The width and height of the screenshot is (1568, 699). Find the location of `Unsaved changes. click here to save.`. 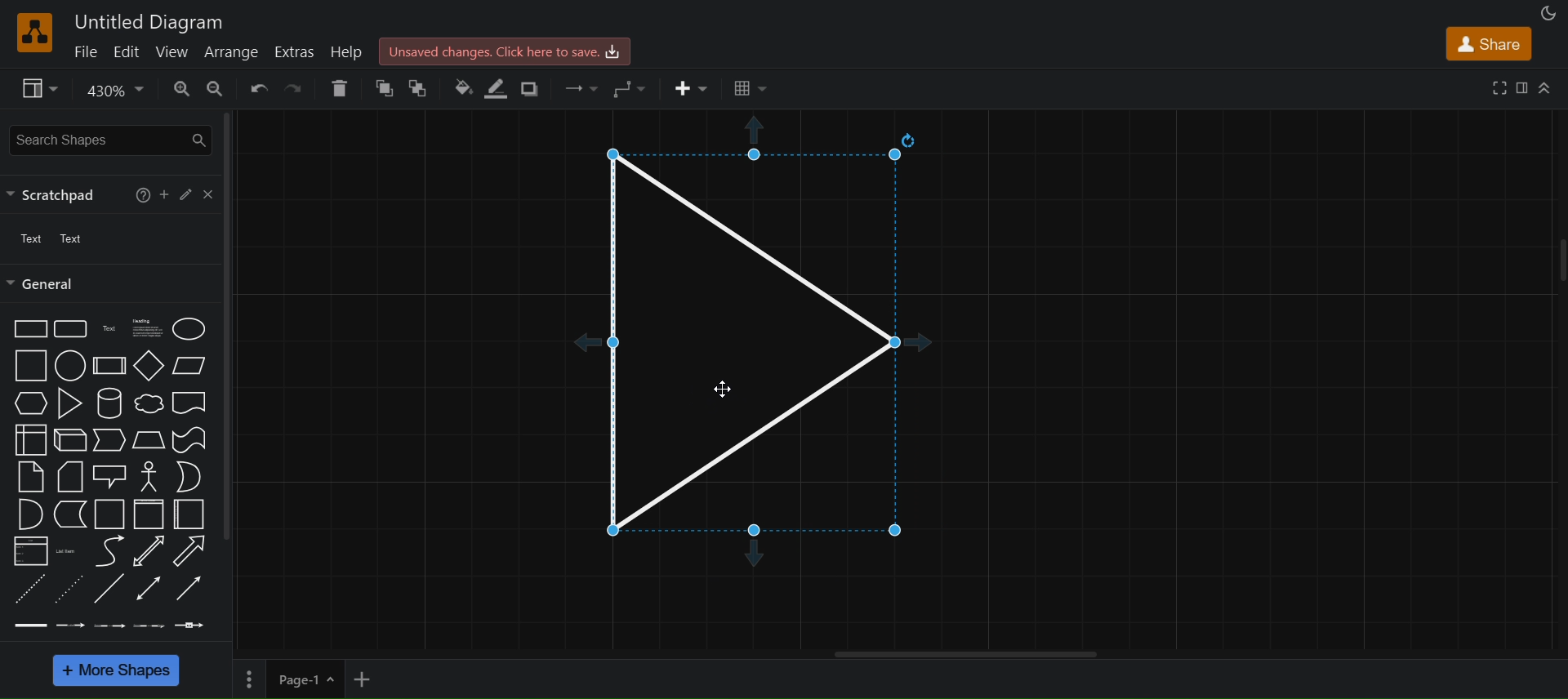

Unsaved changes. click here to save. is located at coordinates (506, 50).